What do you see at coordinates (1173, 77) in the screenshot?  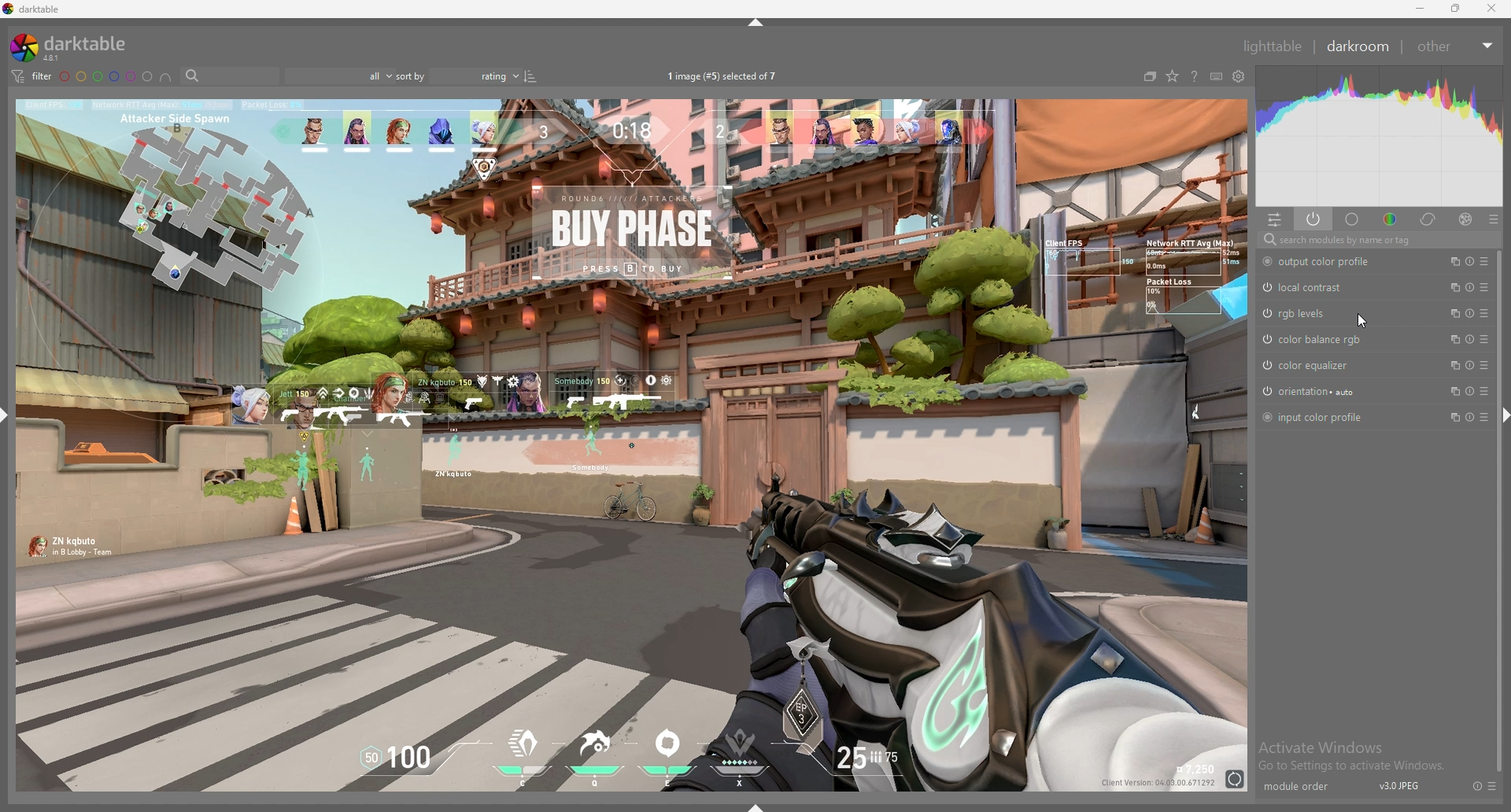 I see `change type of overlays` at bounding box center [1173, 77].